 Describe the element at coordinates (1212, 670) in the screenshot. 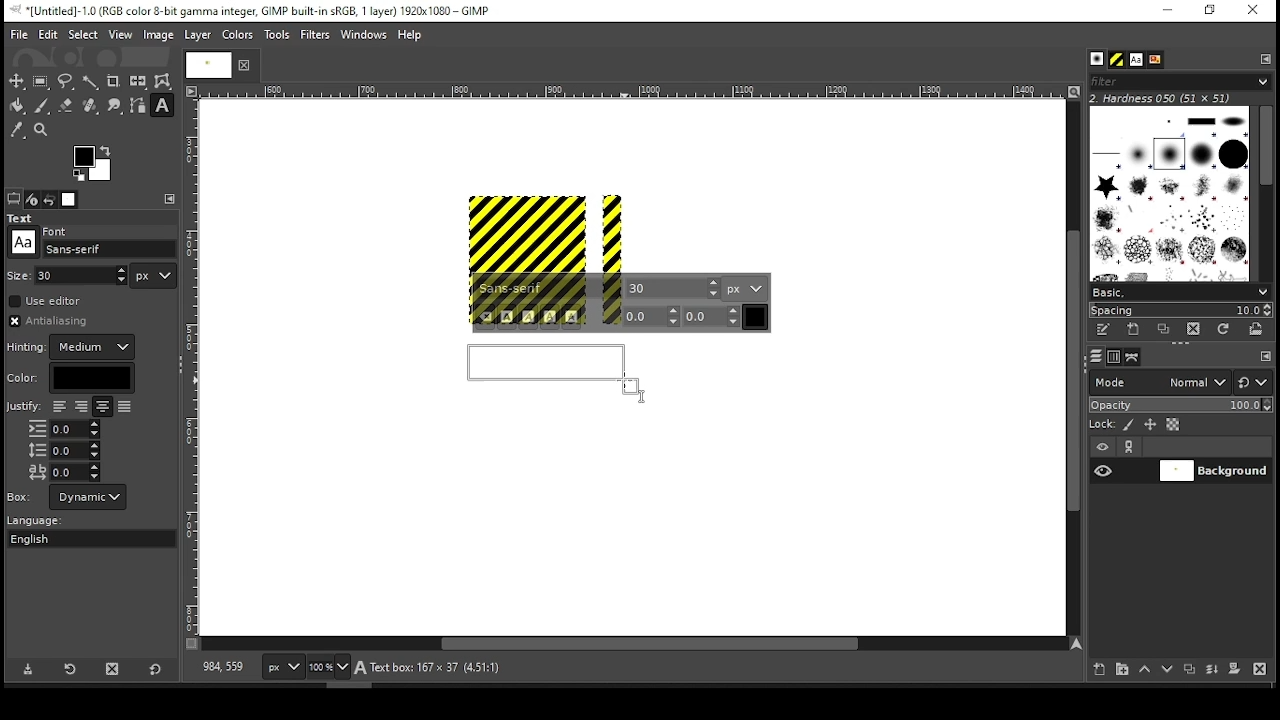

I see `merge layer` at that location.